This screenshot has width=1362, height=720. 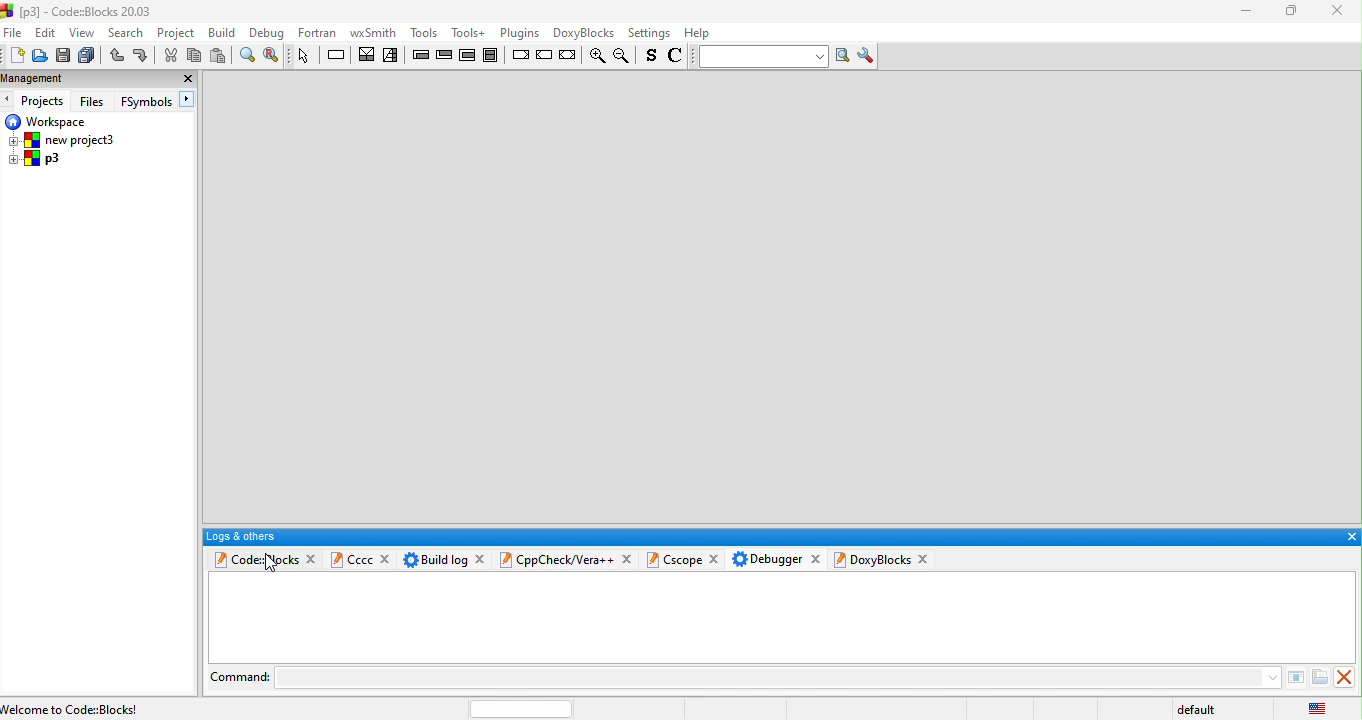 What do you see at coordinates (372, 32) in the screenshot?
I see `wxsmith` at bounding box center [372, 32].